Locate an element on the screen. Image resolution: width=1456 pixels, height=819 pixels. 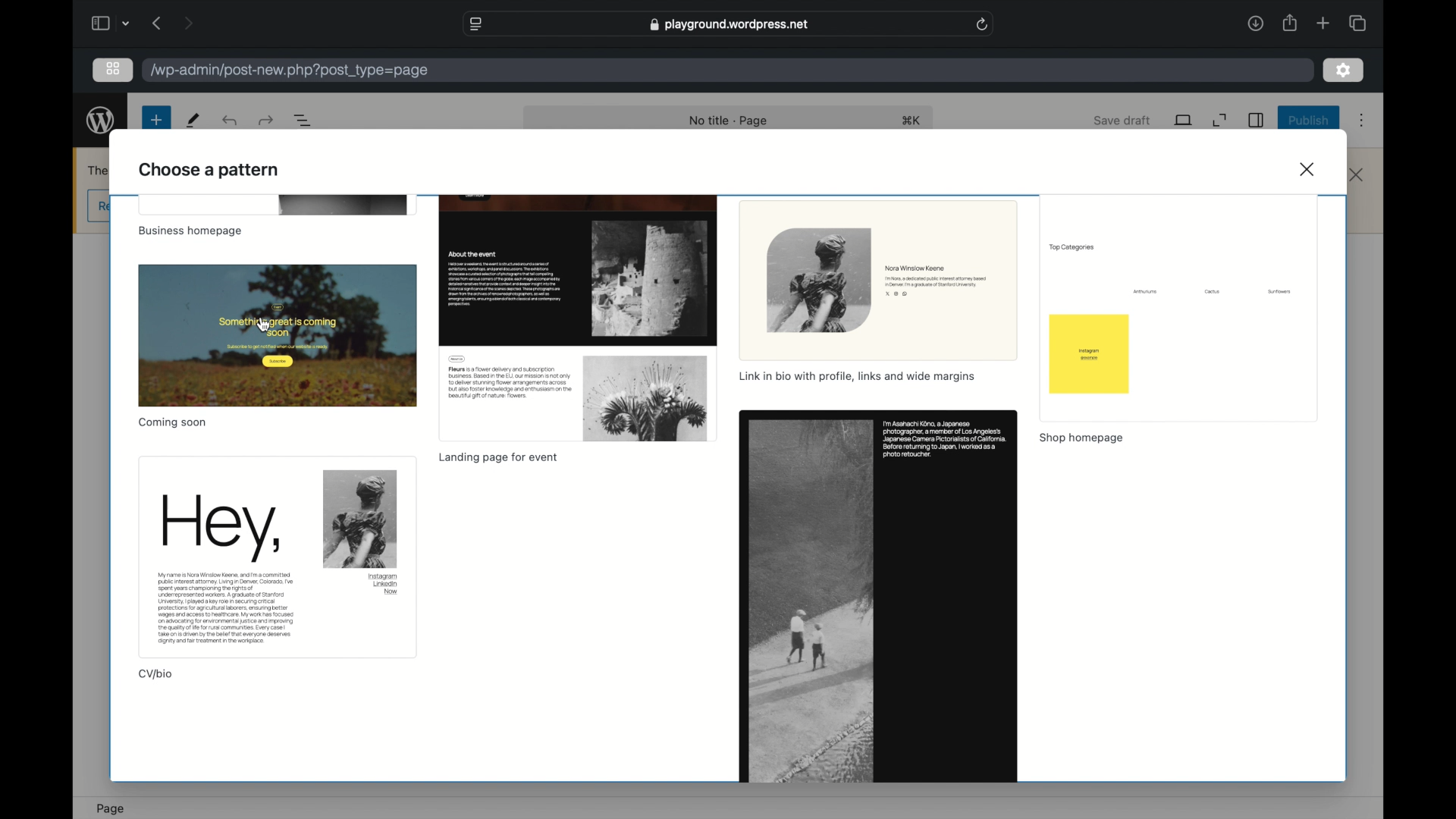
preview is located at coordinates (276, 206).